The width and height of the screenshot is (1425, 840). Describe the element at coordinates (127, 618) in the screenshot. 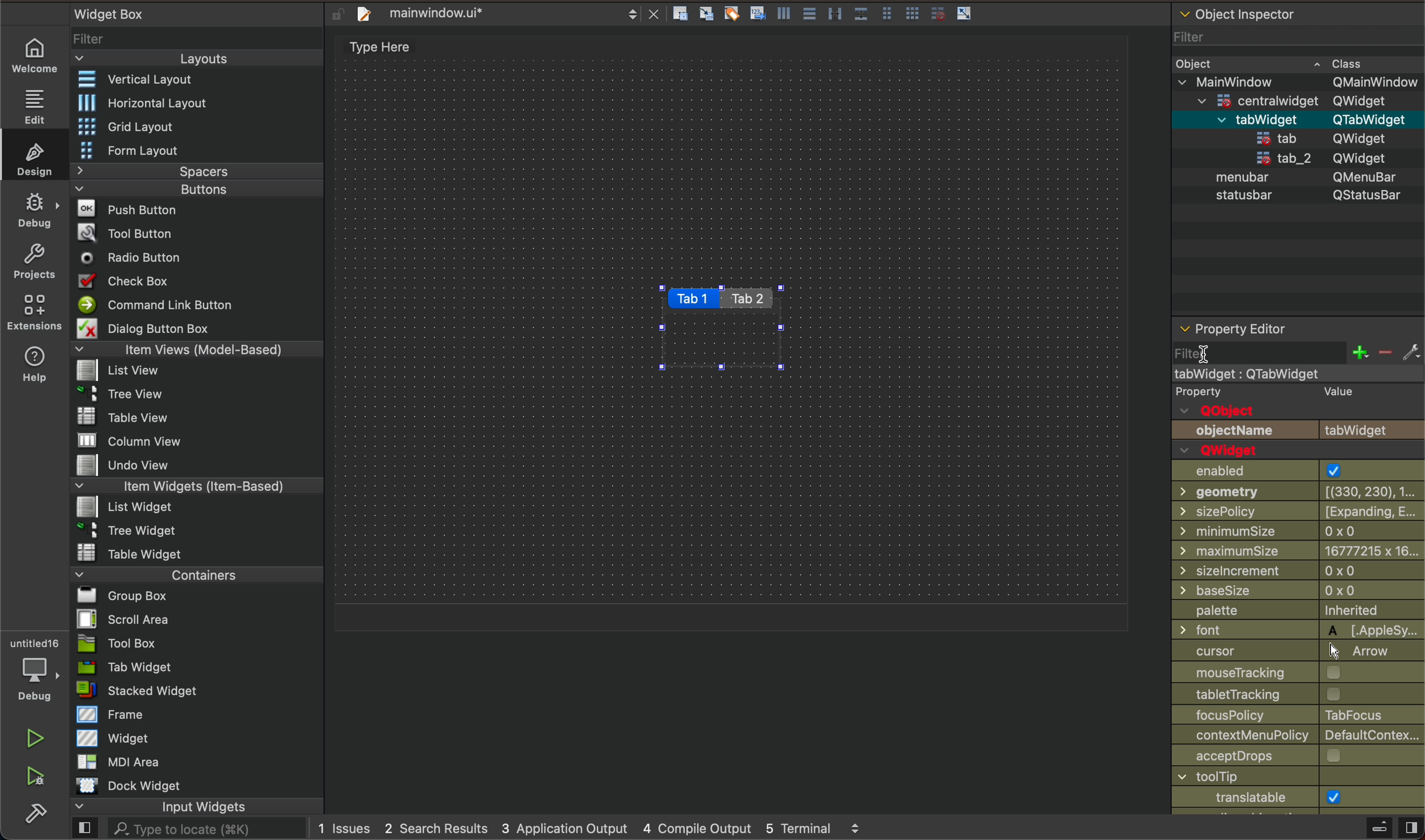

I see `Scroll Area` at that location.